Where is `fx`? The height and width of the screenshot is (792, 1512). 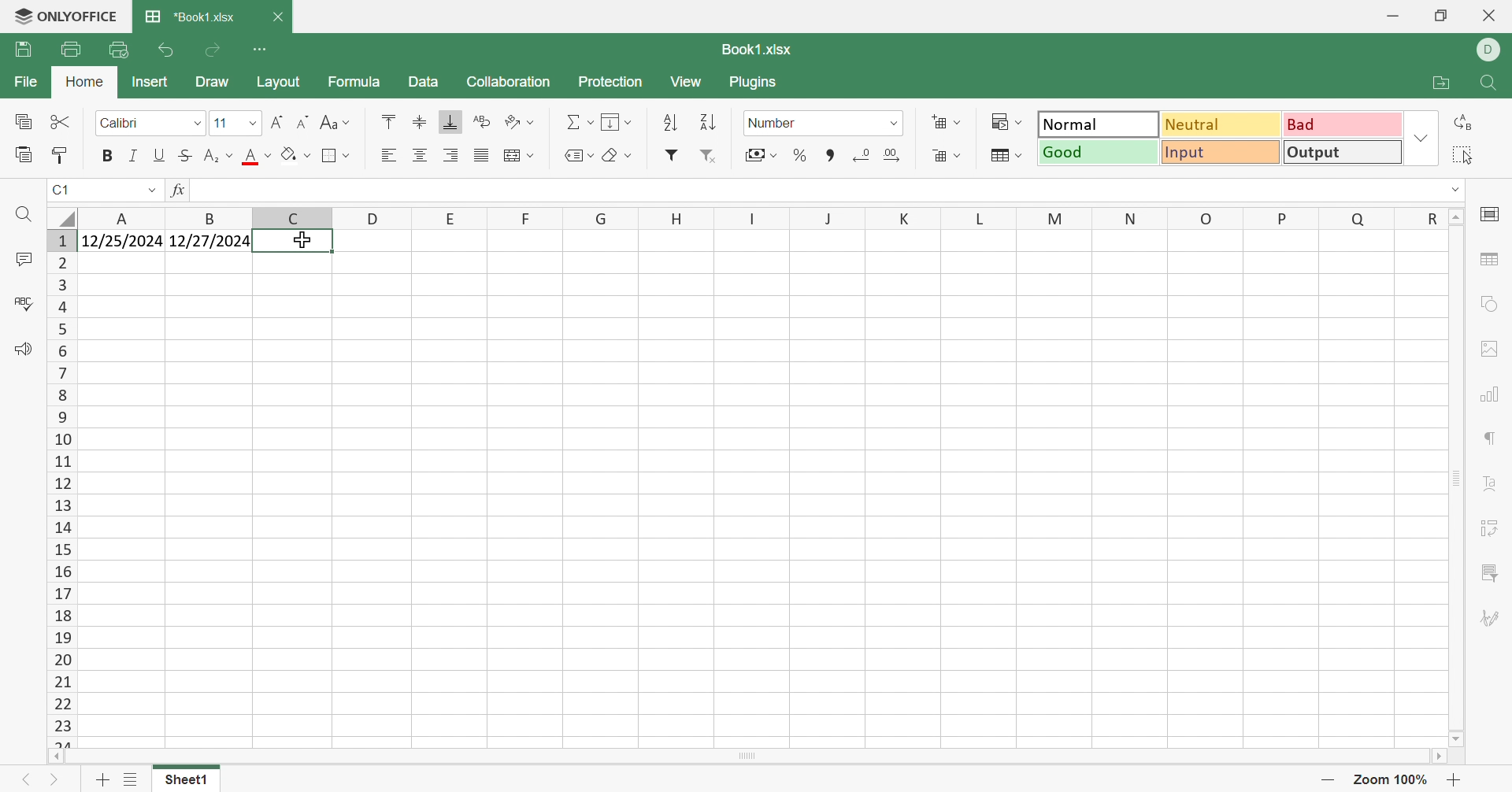
fx is located at coordinates (176, 190).